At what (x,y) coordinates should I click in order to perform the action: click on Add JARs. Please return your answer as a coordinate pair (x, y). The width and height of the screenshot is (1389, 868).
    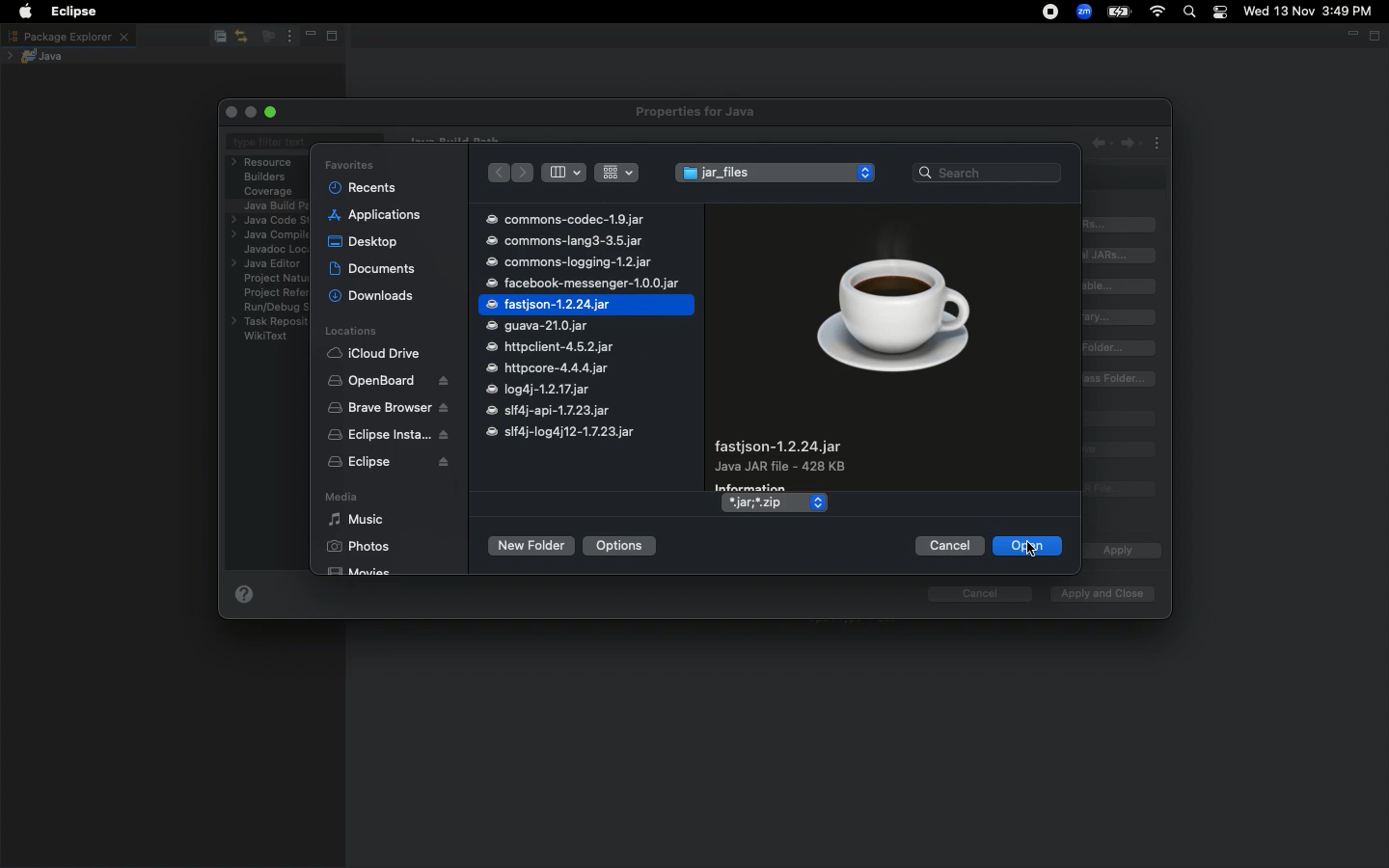
    Looking at the image, I should click on (1121, 225).